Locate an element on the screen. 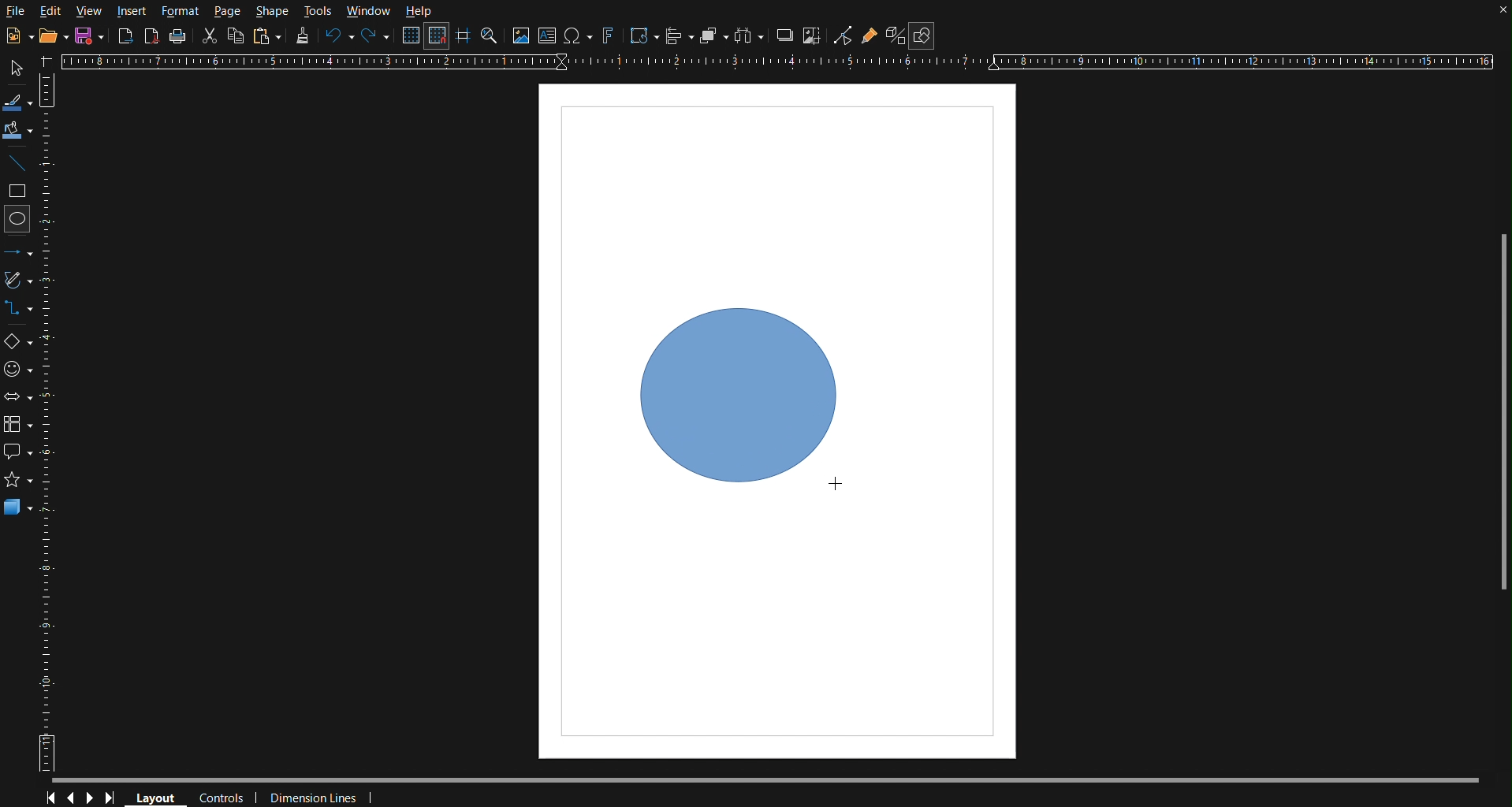 Image resolution: width=1512 pixels, height=807 pixels. Connectors is located at coordinates (20, 308).